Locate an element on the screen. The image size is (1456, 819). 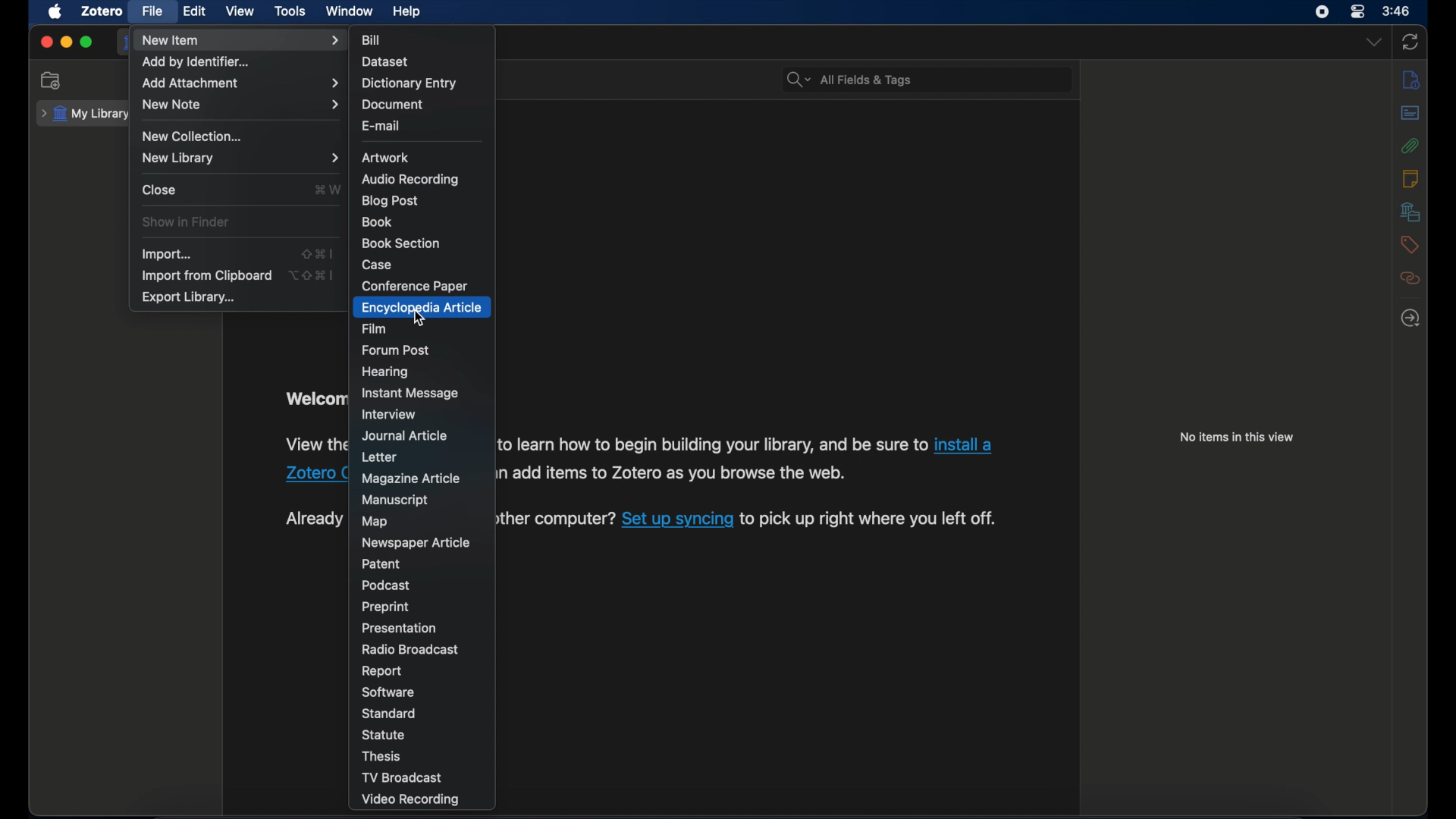
export library is located at coordinates (188, 297).